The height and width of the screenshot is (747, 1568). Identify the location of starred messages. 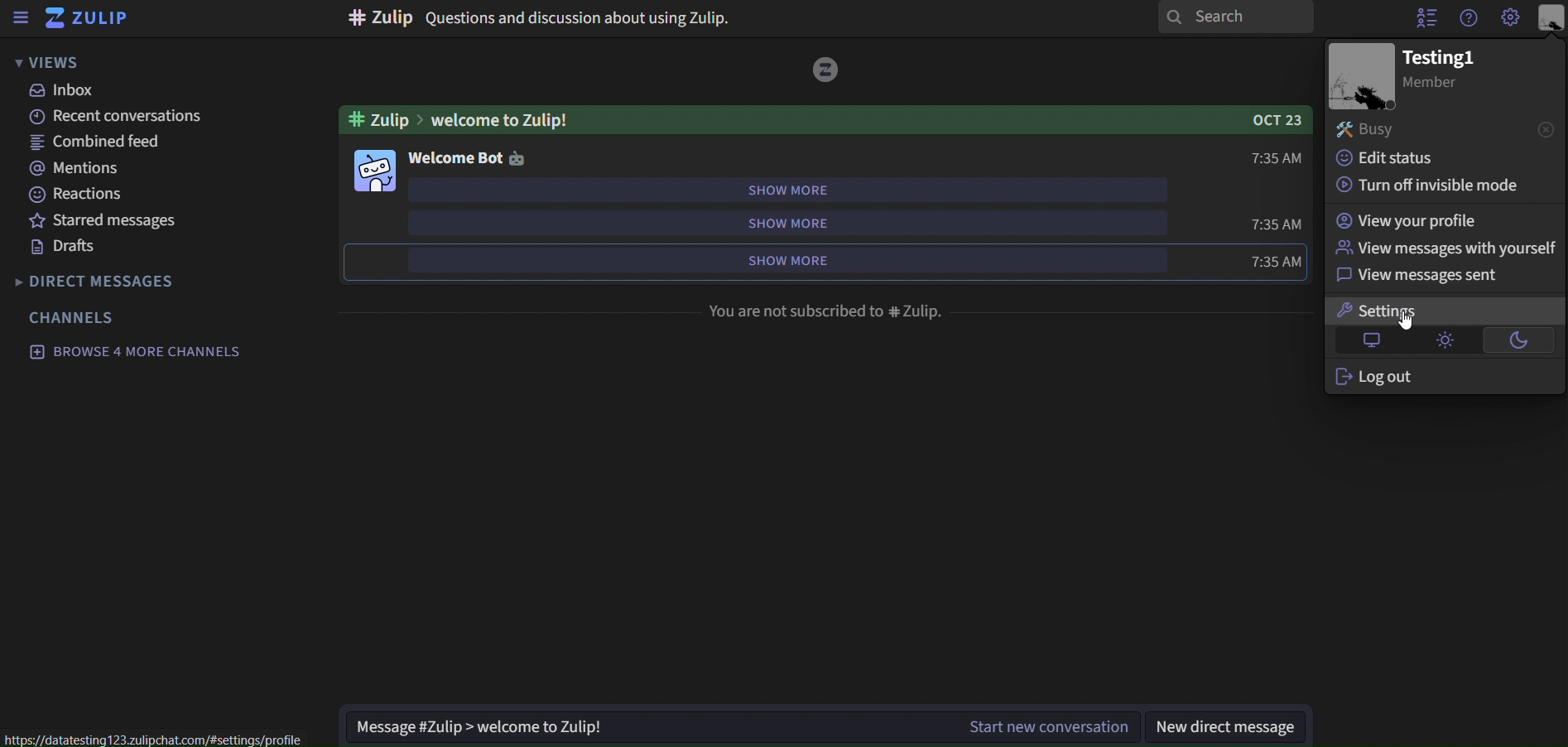
(103, 221).